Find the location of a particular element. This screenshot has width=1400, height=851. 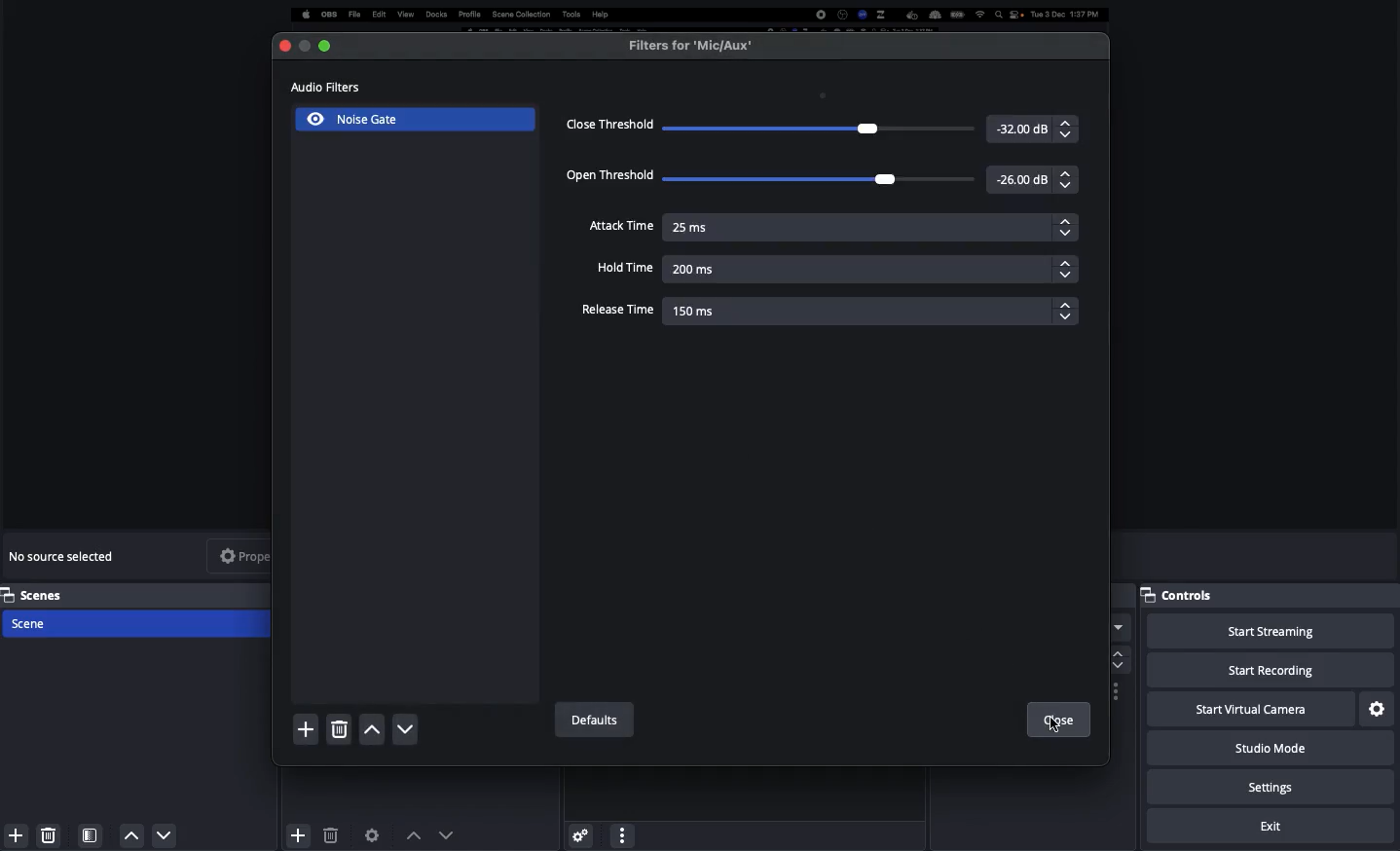

Noise Gate is located at coordinates (345, 122).